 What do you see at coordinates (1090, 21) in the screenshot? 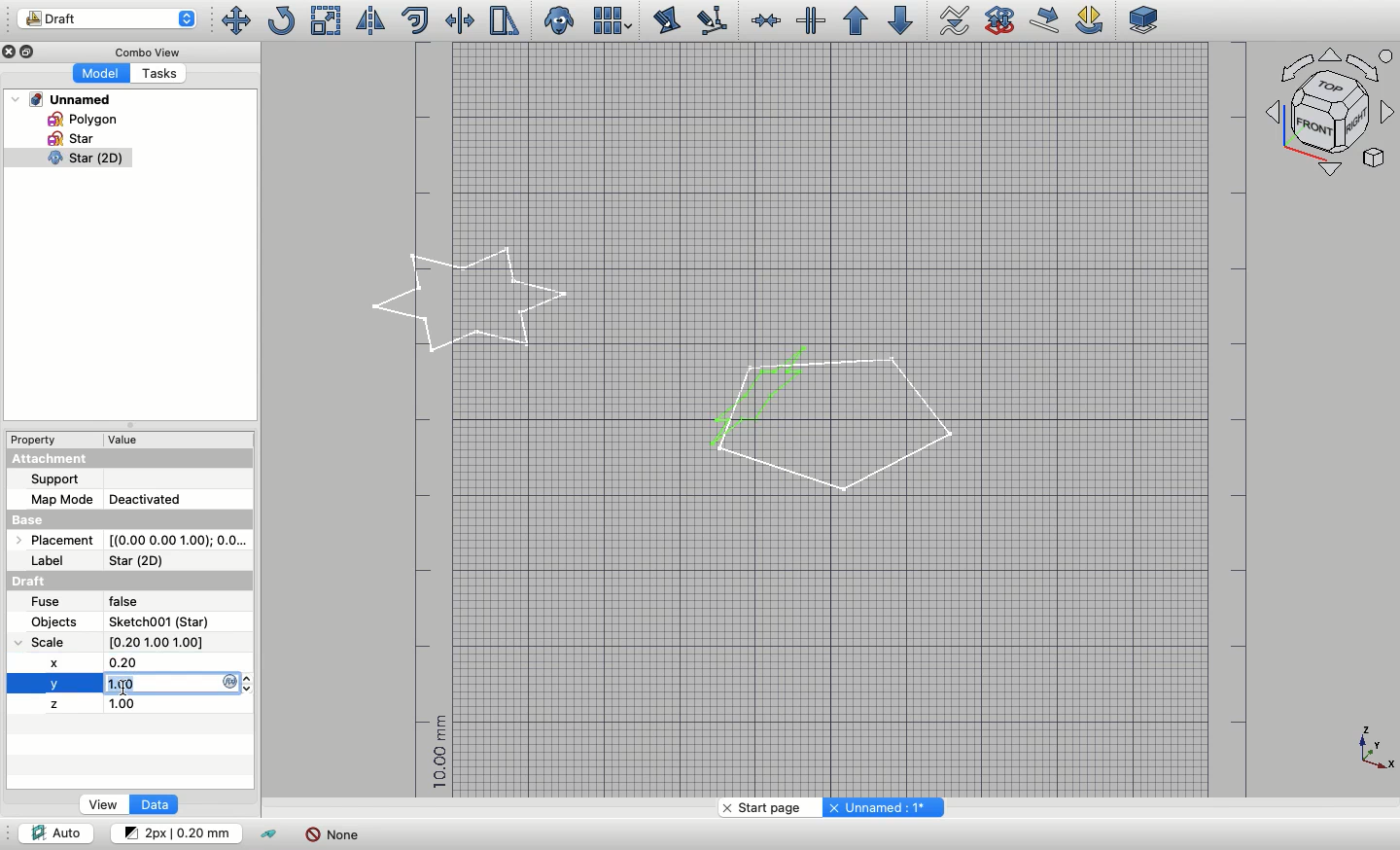
I see `Draft rotate` at bounding box center [1090, 21].